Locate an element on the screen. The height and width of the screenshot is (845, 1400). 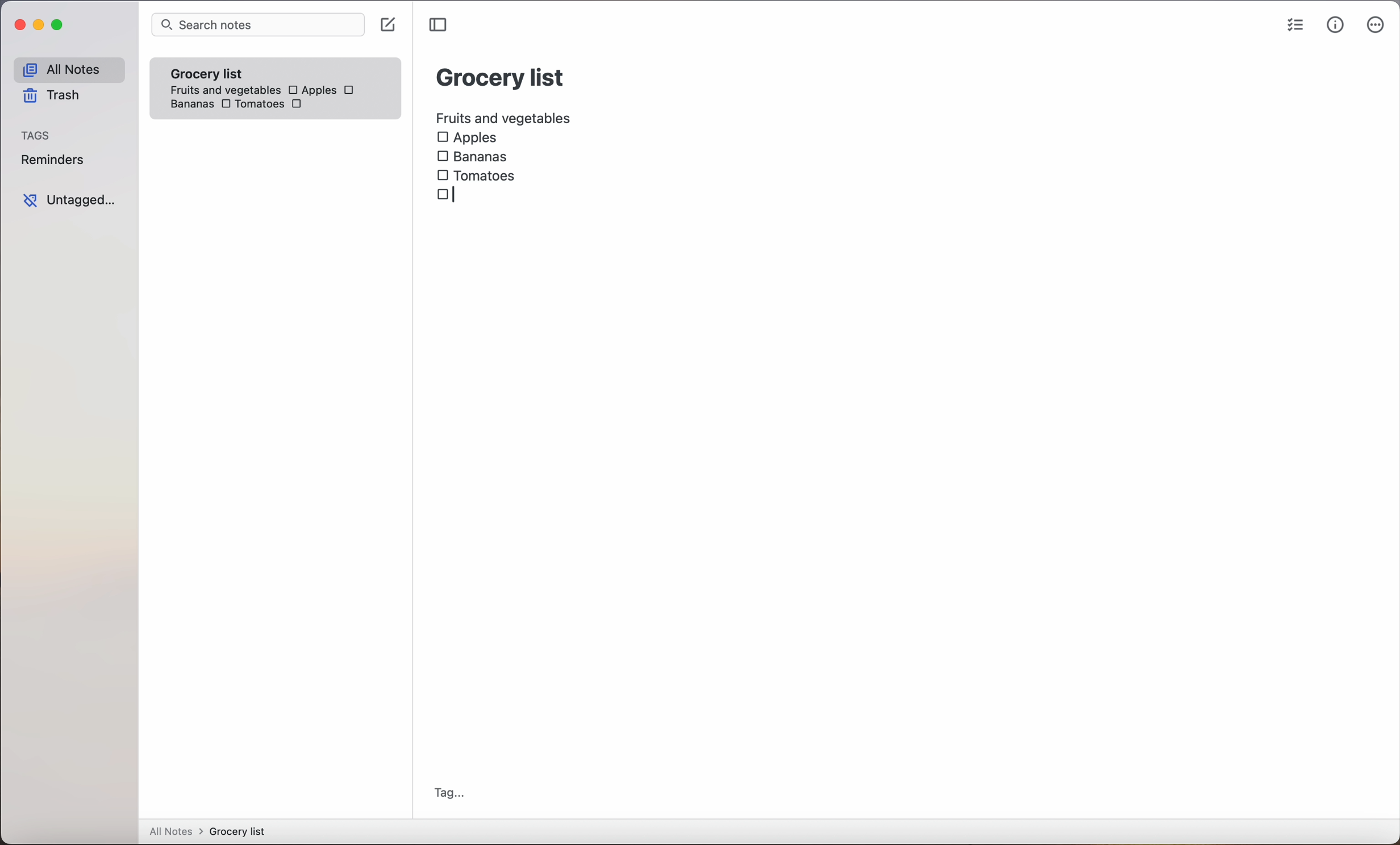
reminders is located at coordinates (52, 162).